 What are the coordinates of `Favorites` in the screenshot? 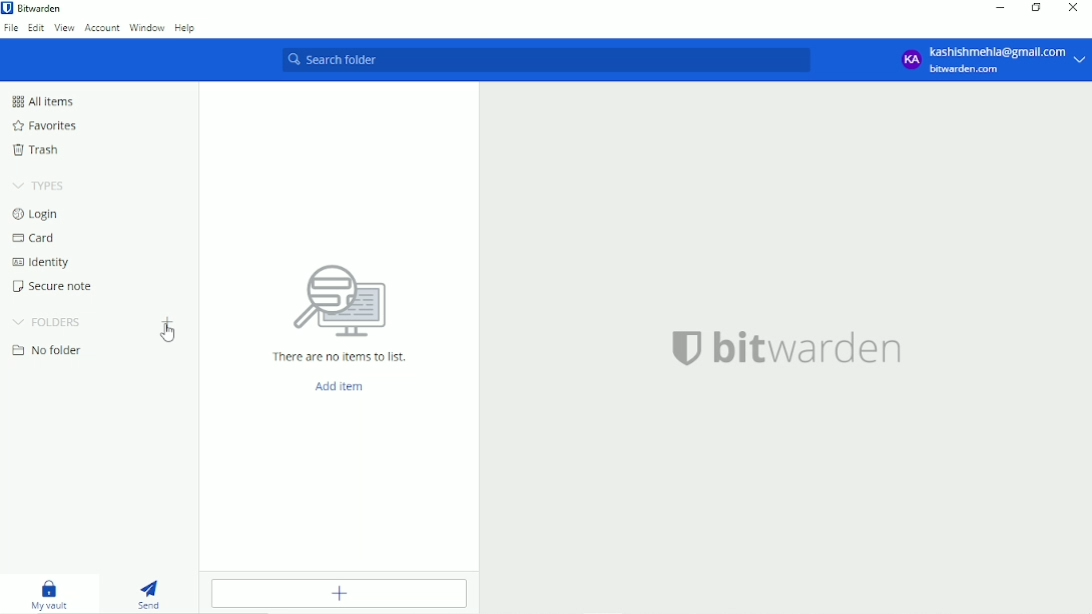 It's located at (47, 126).